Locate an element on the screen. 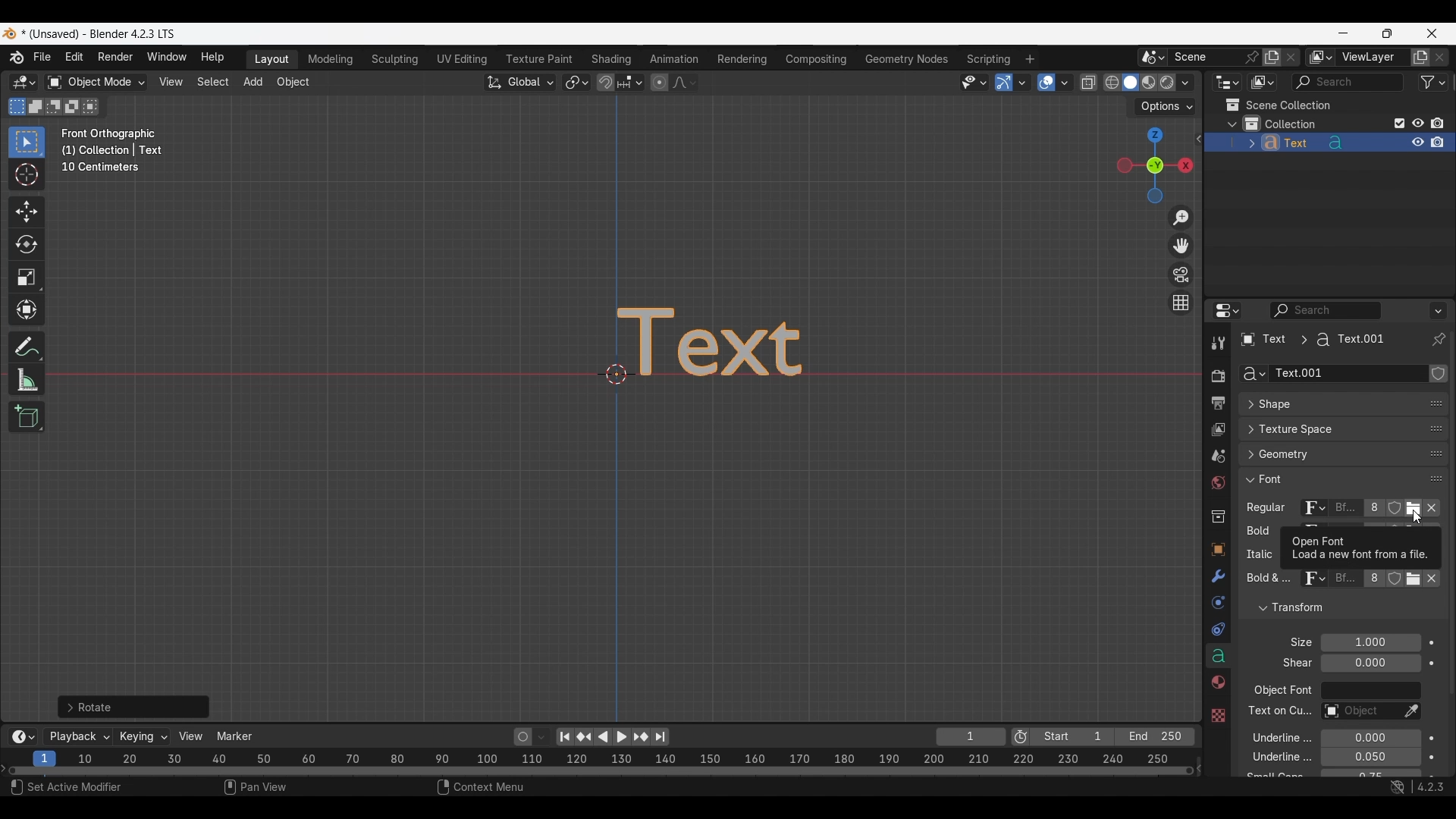 This screenshot has width=1456, height=819. Add cube is located at coordinates (27, 417).